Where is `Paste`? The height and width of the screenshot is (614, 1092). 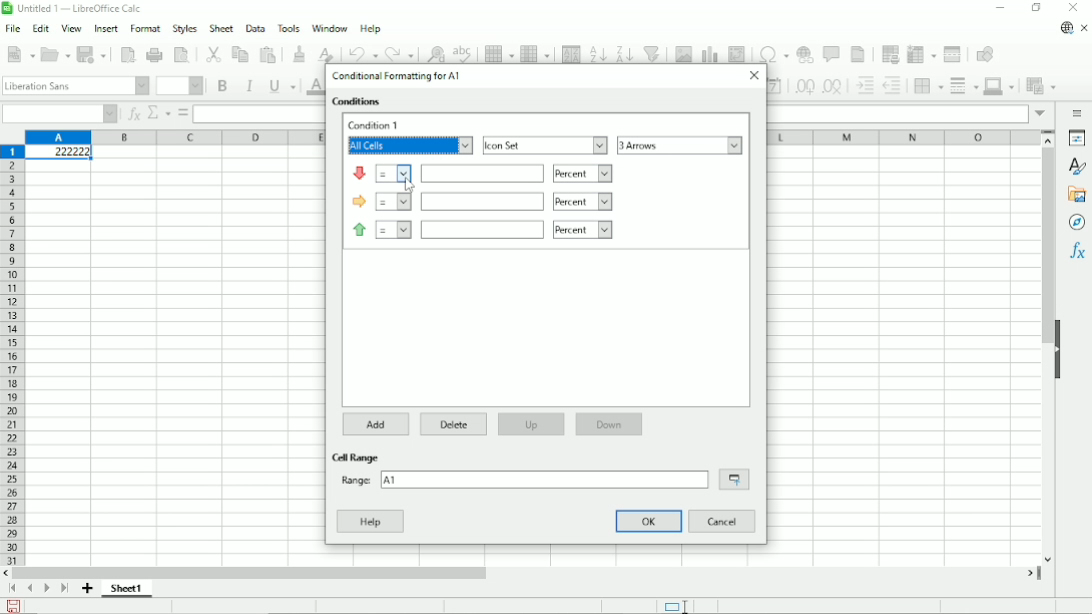 Paste is located at coordinates (268, 52).